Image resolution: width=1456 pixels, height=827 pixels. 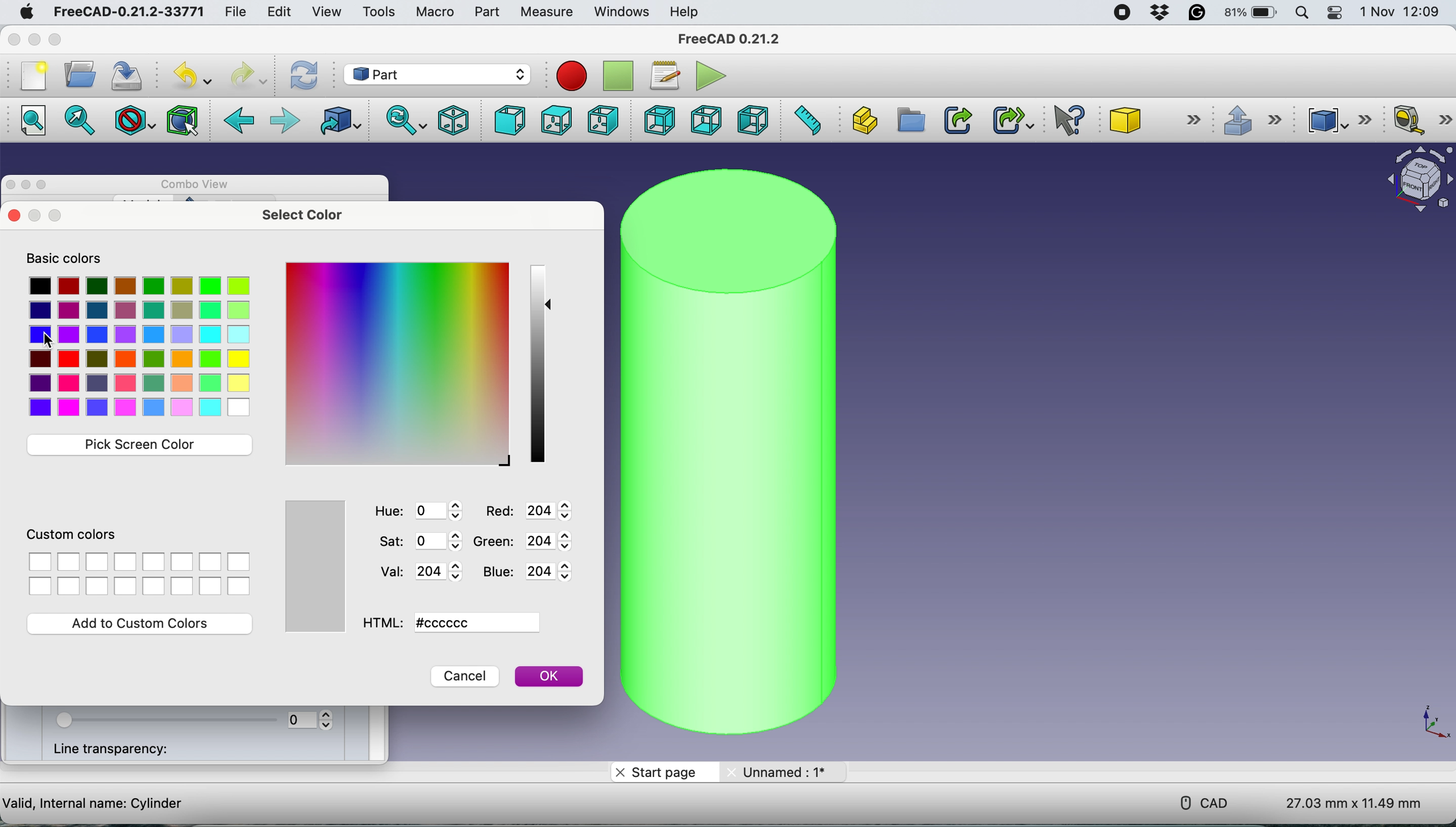 I want to click on unname, so click(x=780, y=773).